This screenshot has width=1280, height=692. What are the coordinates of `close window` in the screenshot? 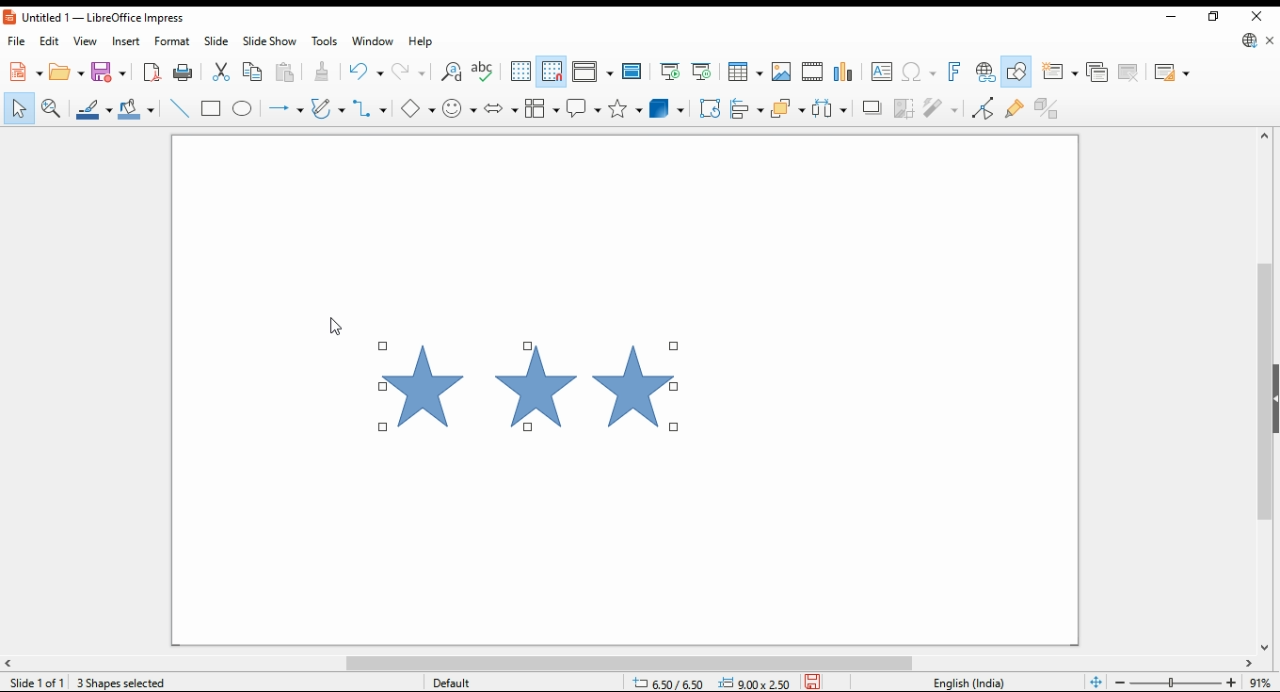 It's located at (1259, 14).